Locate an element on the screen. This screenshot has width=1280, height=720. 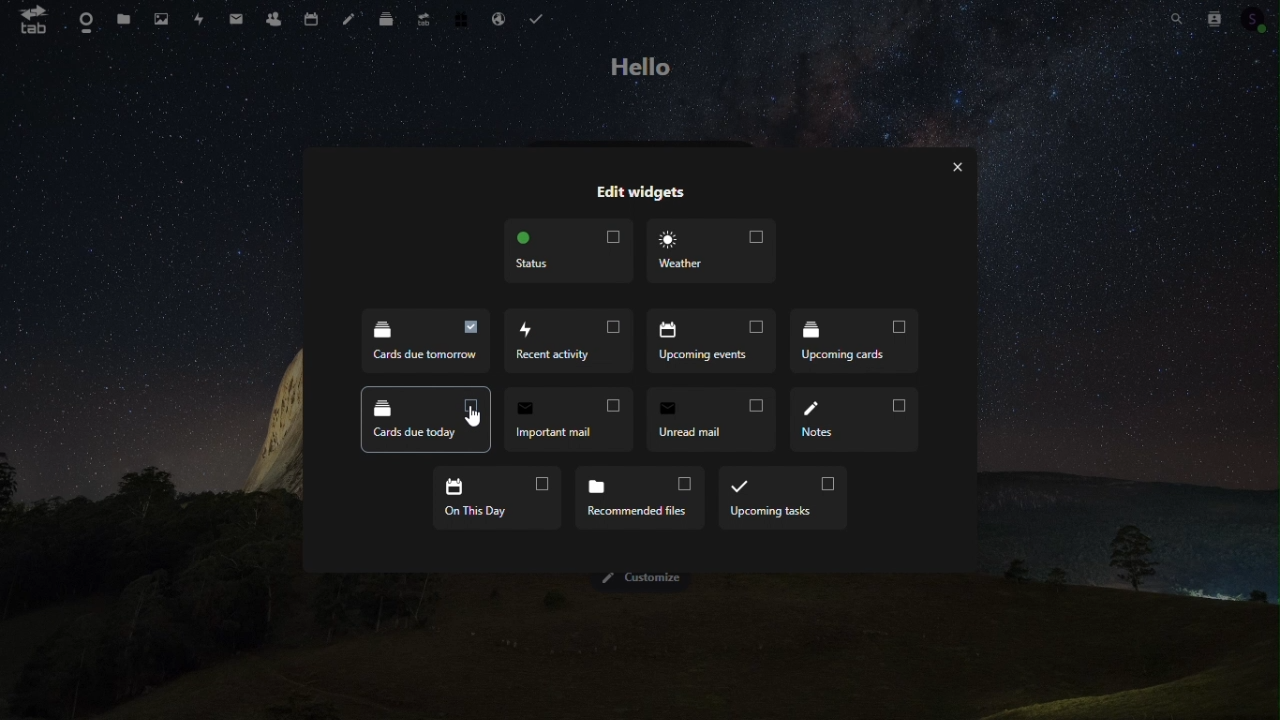
upgrade is located at coordinates (420, 17).